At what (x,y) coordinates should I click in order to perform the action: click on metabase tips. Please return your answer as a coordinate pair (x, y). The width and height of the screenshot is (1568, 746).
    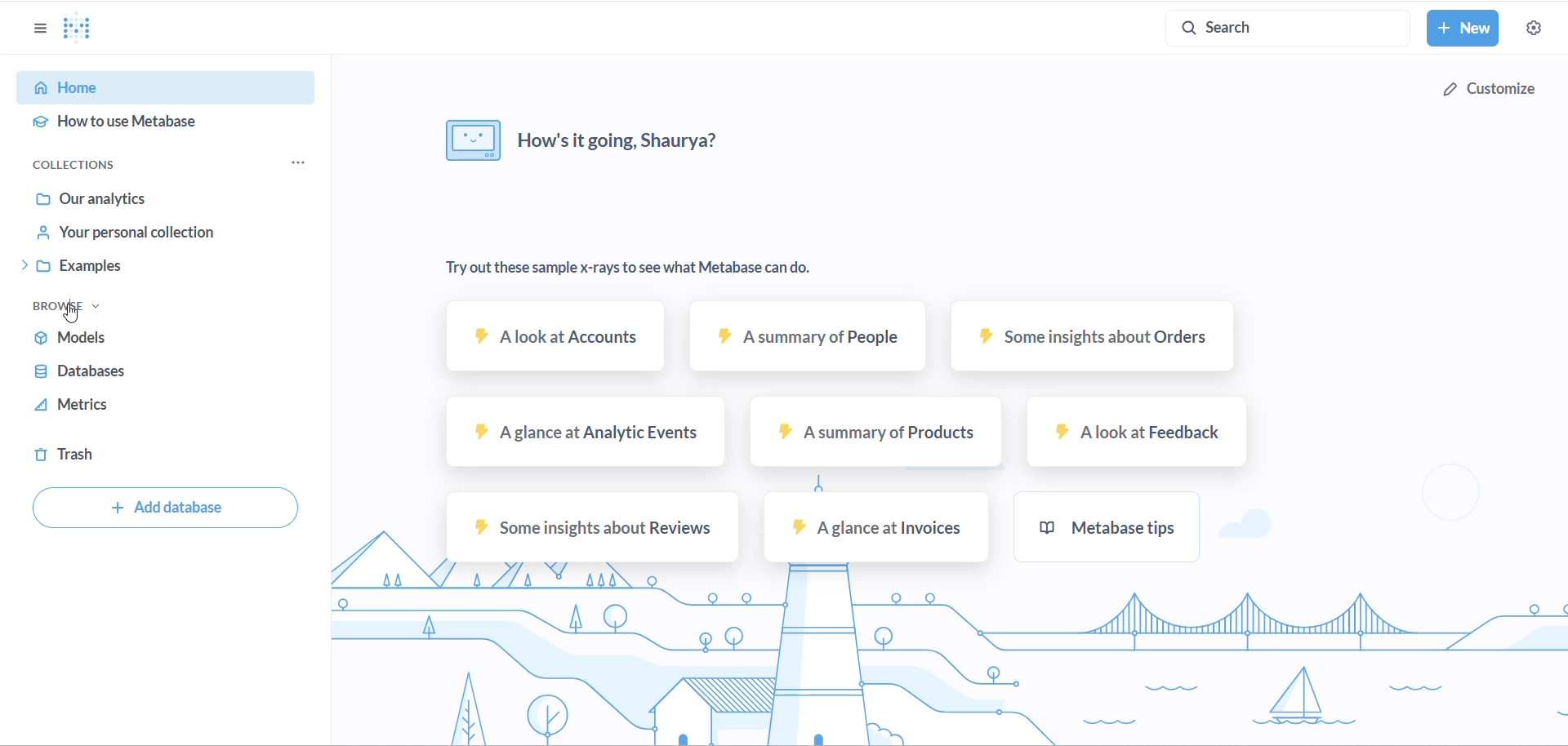
    Looking at the image, I should click on (1130, 526).